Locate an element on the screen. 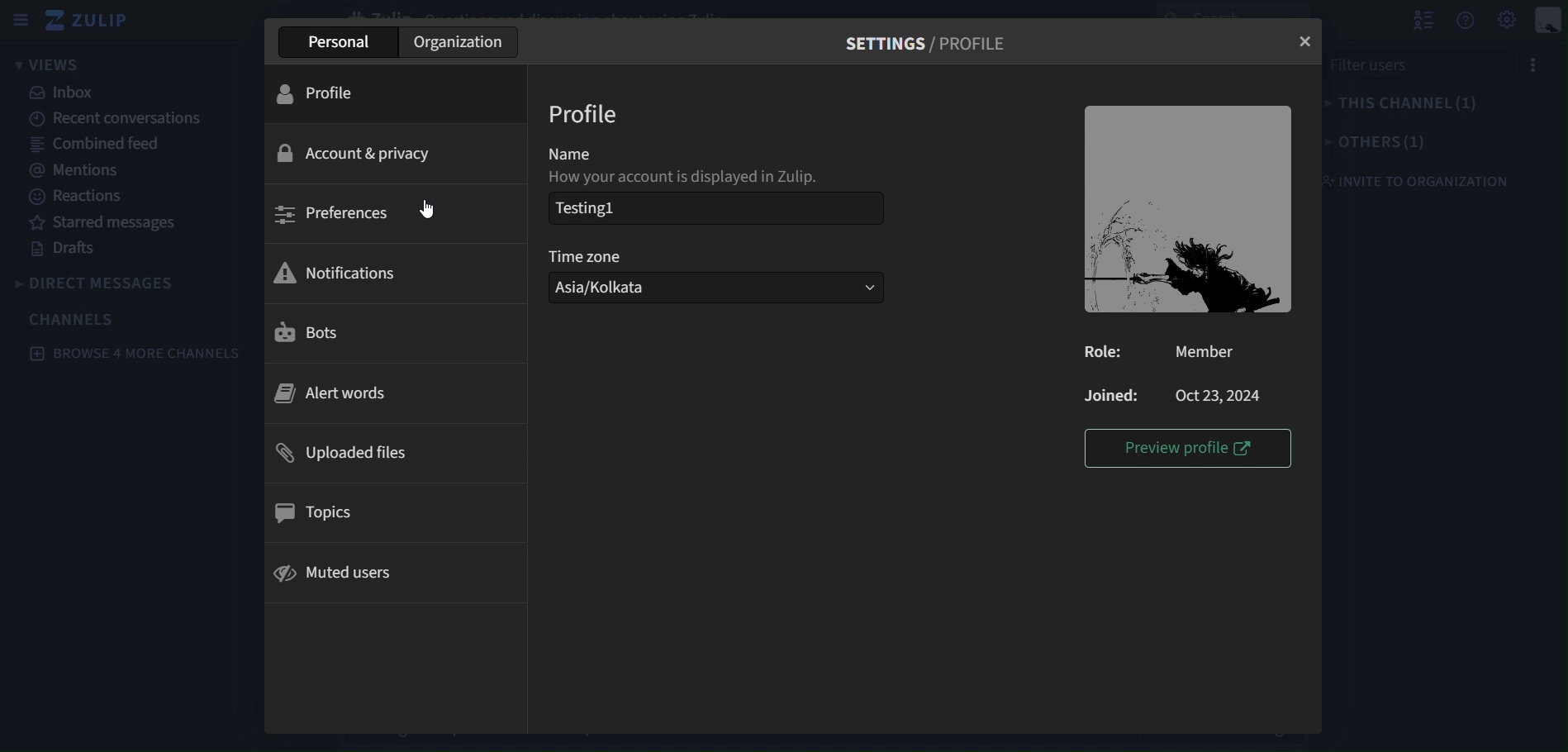 Image resolution: width=1568 pixels, height=752 pixels. channels is located at coordinates (75, 319).